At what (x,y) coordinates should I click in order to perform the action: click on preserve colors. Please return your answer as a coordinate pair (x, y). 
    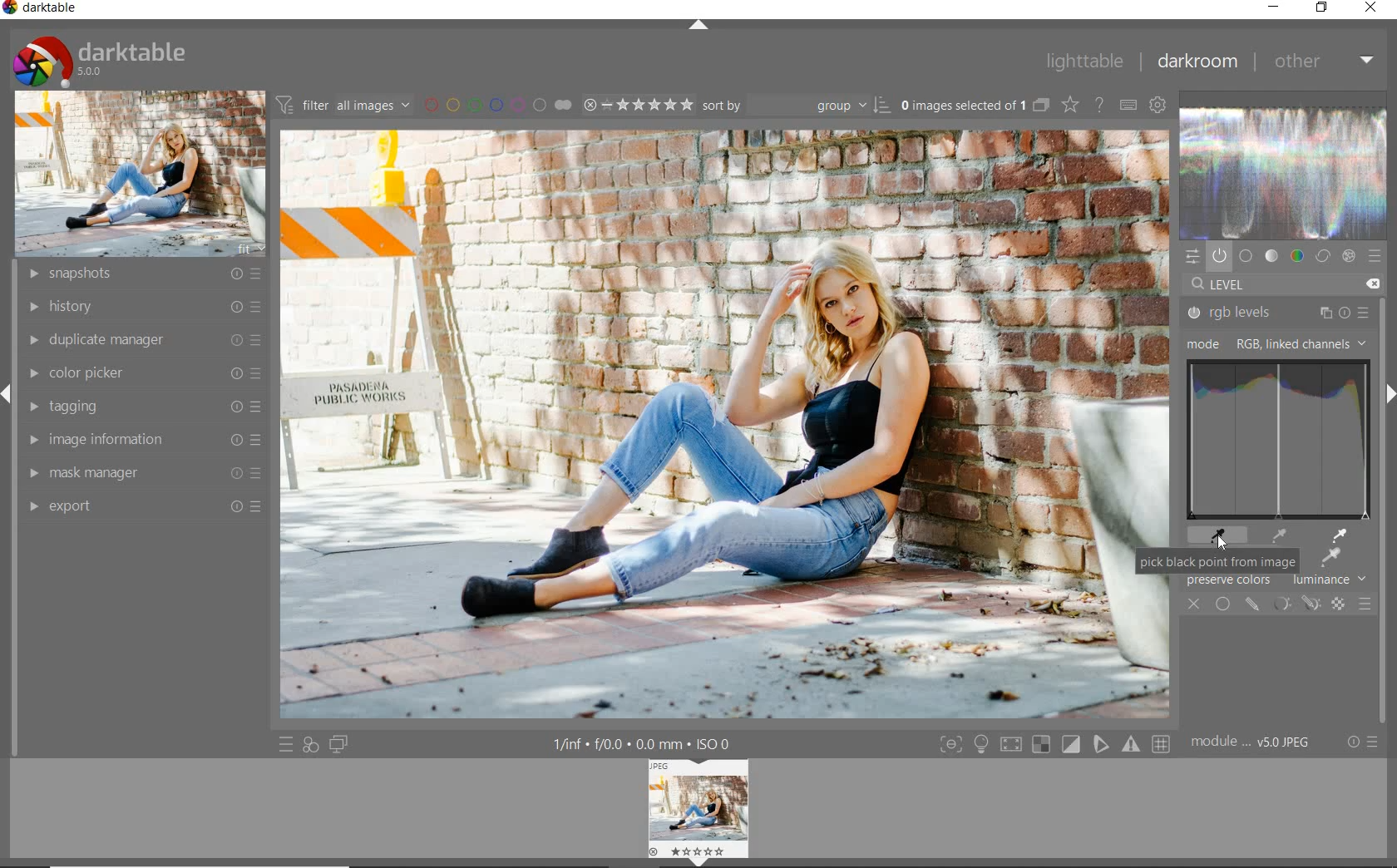
    Looking at the image, I should click on (1228, 579).